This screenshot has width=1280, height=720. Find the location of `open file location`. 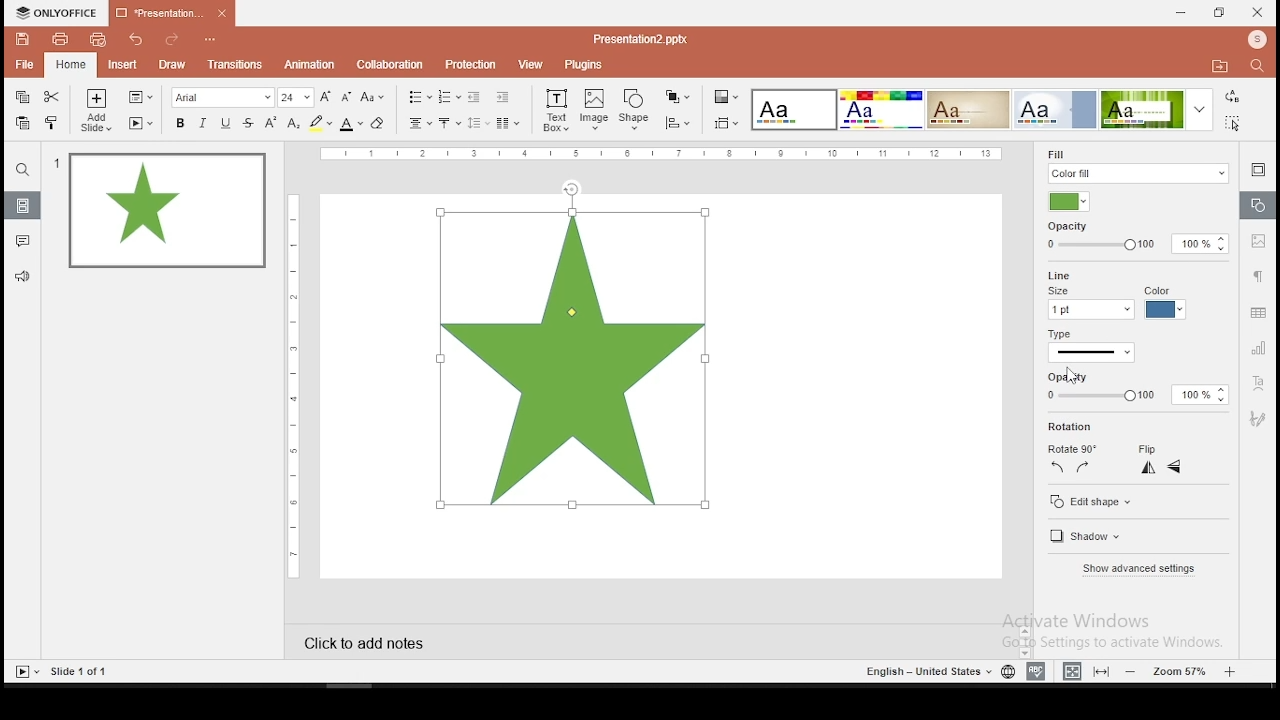

open file location is located at coordinates (1219, 67).